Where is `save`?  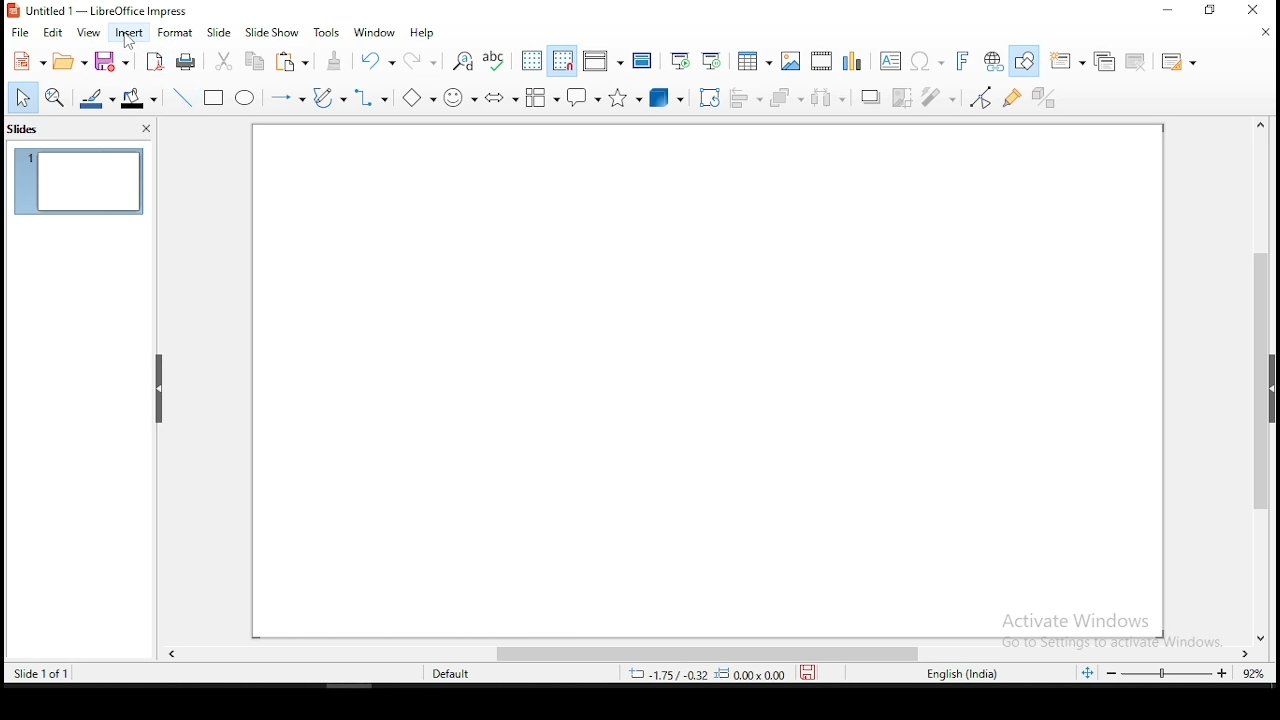
save is located at coordinates (809, 673).